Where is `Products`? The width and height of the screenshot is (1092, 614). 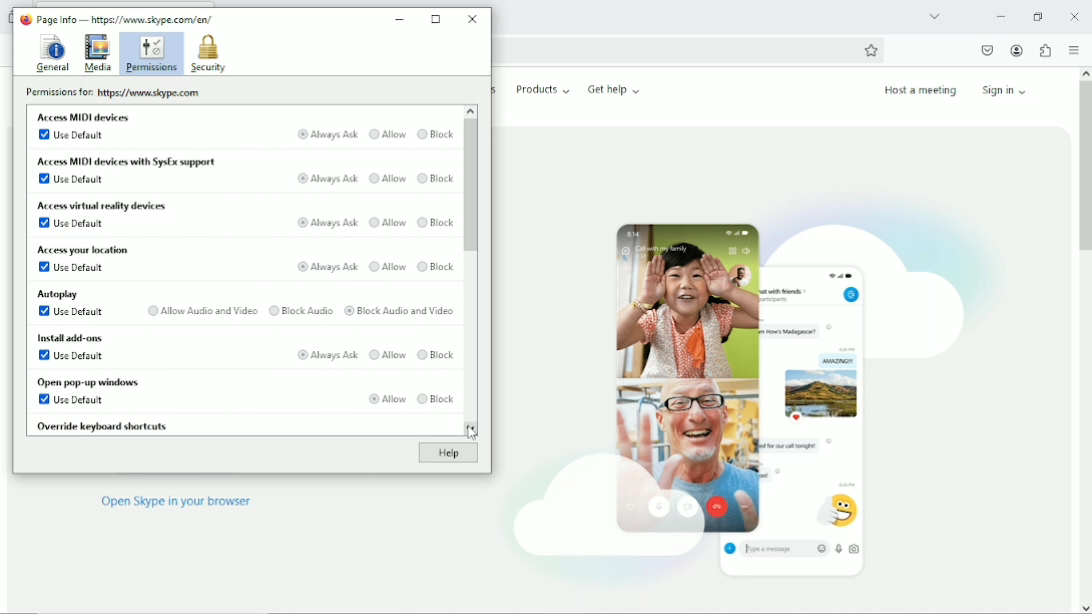
Products is located at coordinates (543, 89).